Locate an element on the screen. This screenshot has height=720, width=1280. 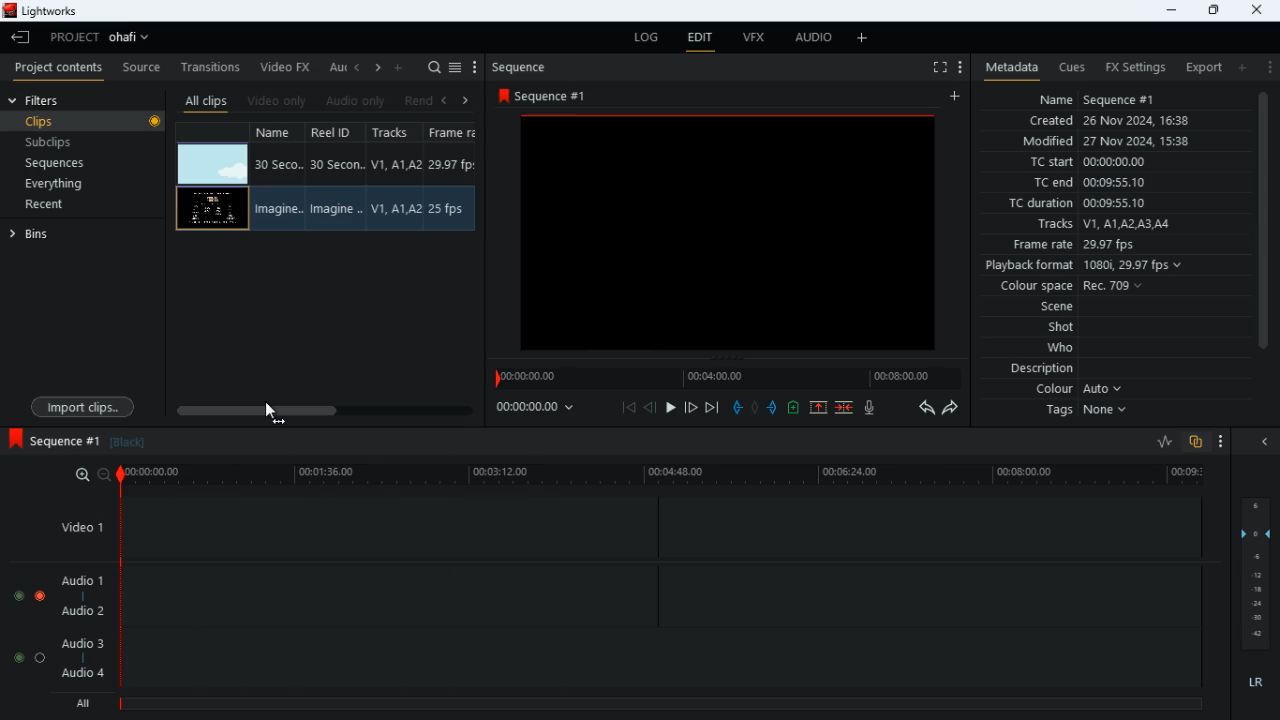
cursor is located at coordinates (271, 415).